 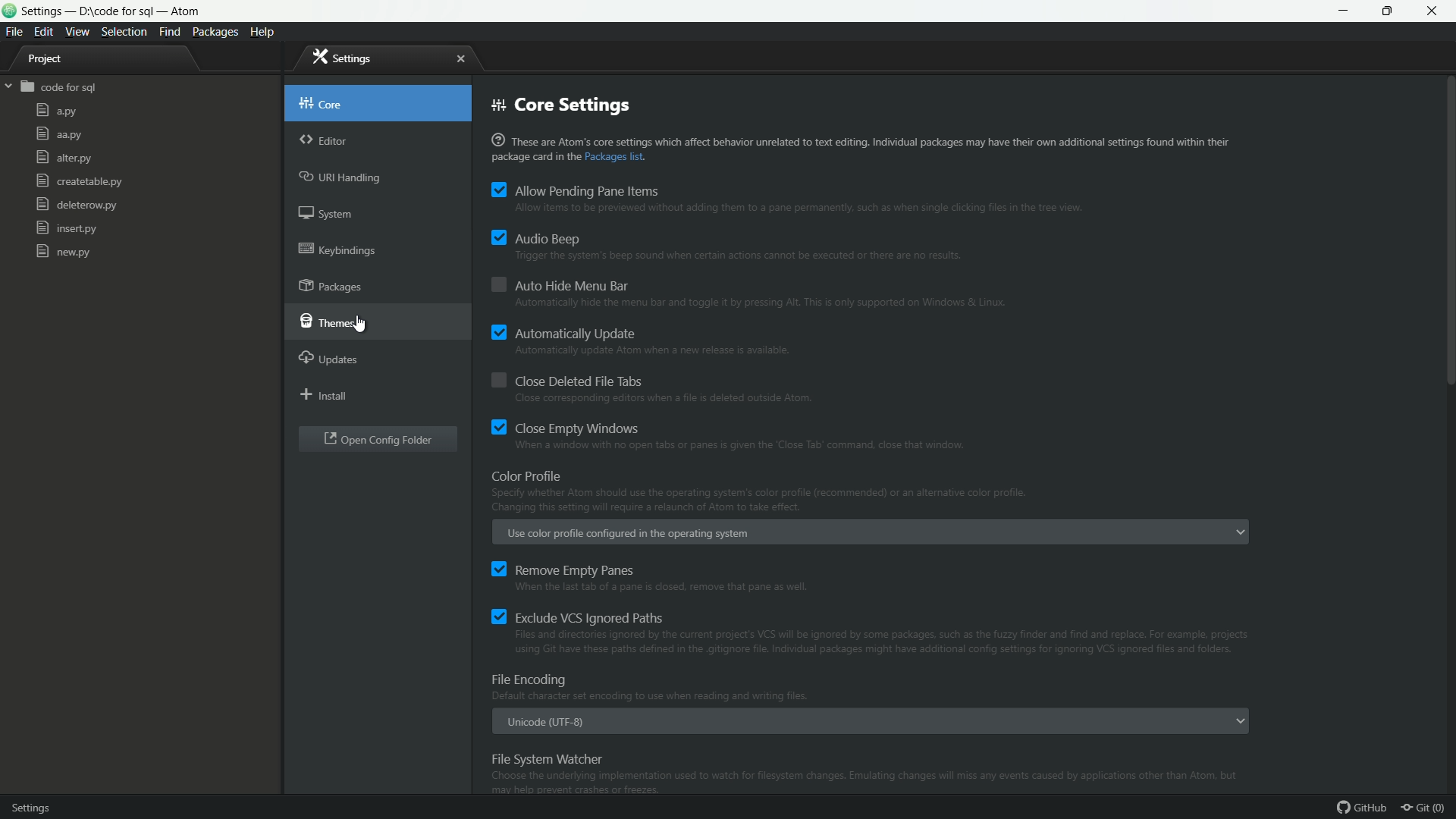 What do you see at coordinates (870, 783) in the screenshot?
I see `choose the underlying implementation used to watch for filesystem changes . emulating changes will miss any events caused by applications other than atom, but may help prevent crashes or freezes.` at bounding box center [870, 783].